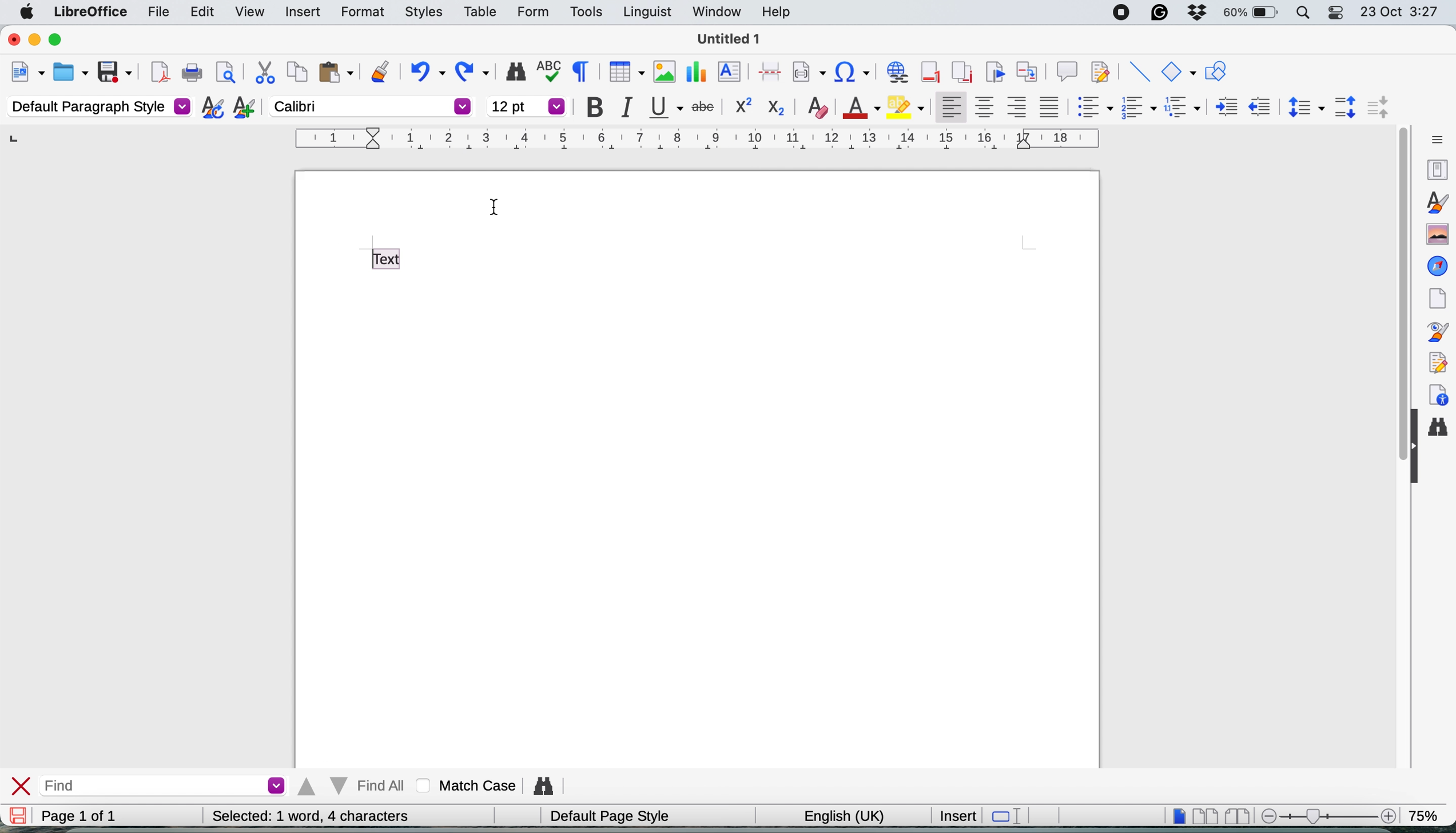 This screenshot has height=833, width=1456. Describe the element at coordinates (1235, 815) in the screenshot. I see `book view` at that location.